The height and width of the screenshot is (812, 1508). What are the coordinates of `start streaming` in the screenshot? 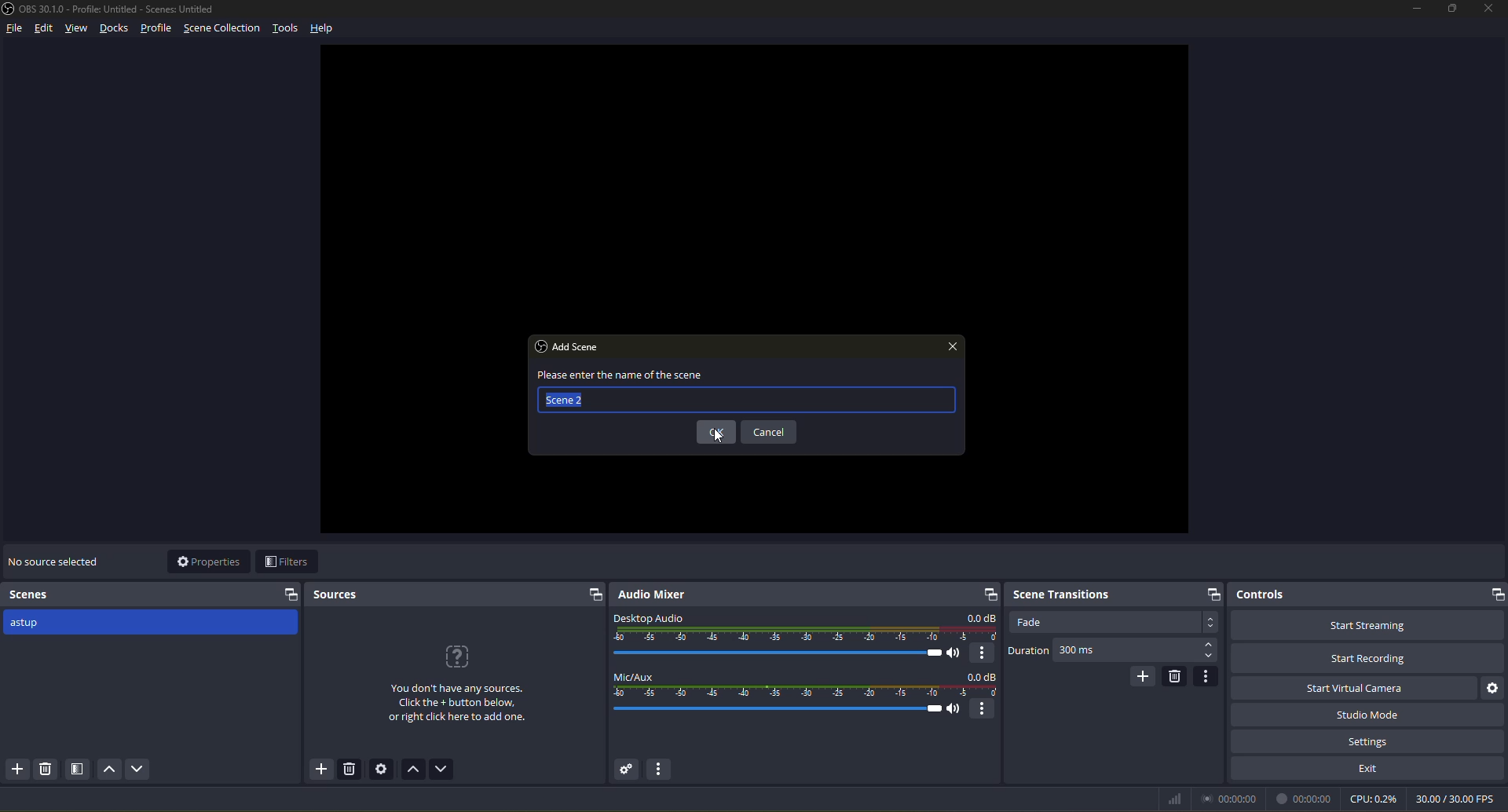 It's located at (1370, 624).